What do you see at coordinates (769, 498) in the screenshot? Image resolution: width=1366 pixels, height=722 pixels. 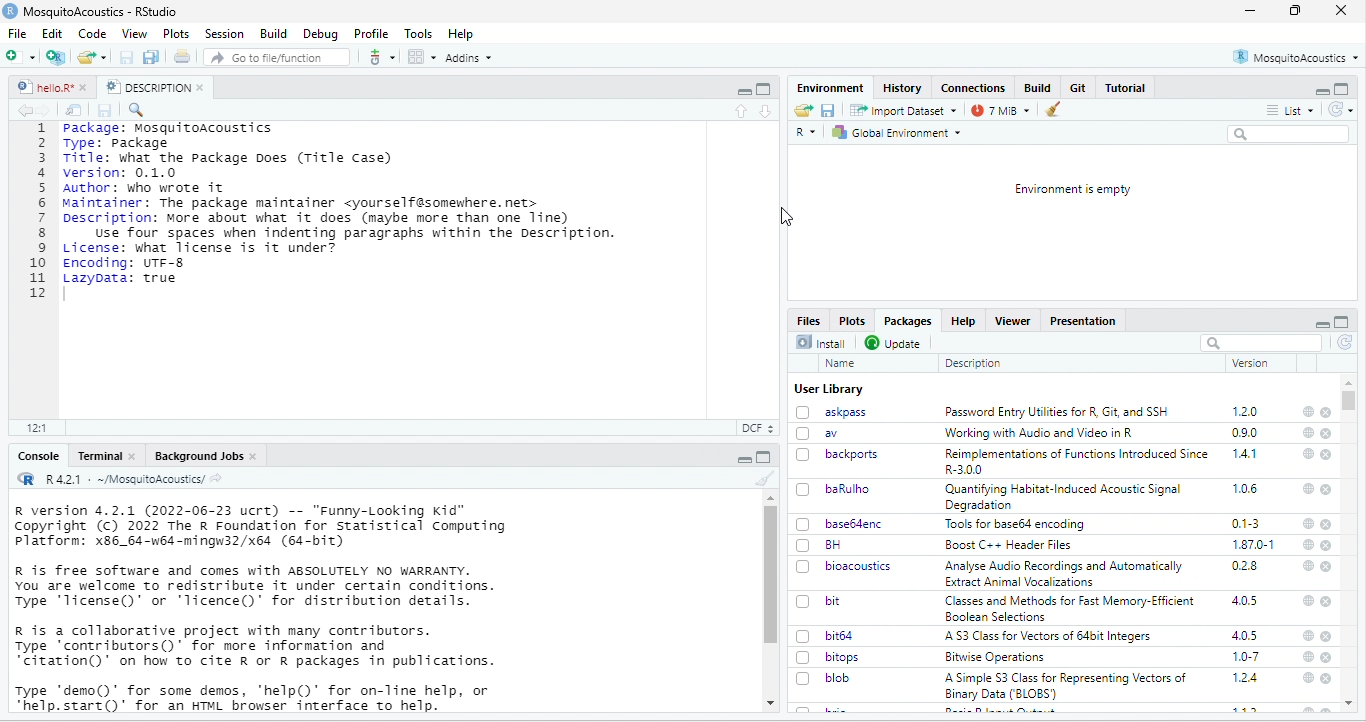 I see `scroll up` at bounding box center [769, 498].